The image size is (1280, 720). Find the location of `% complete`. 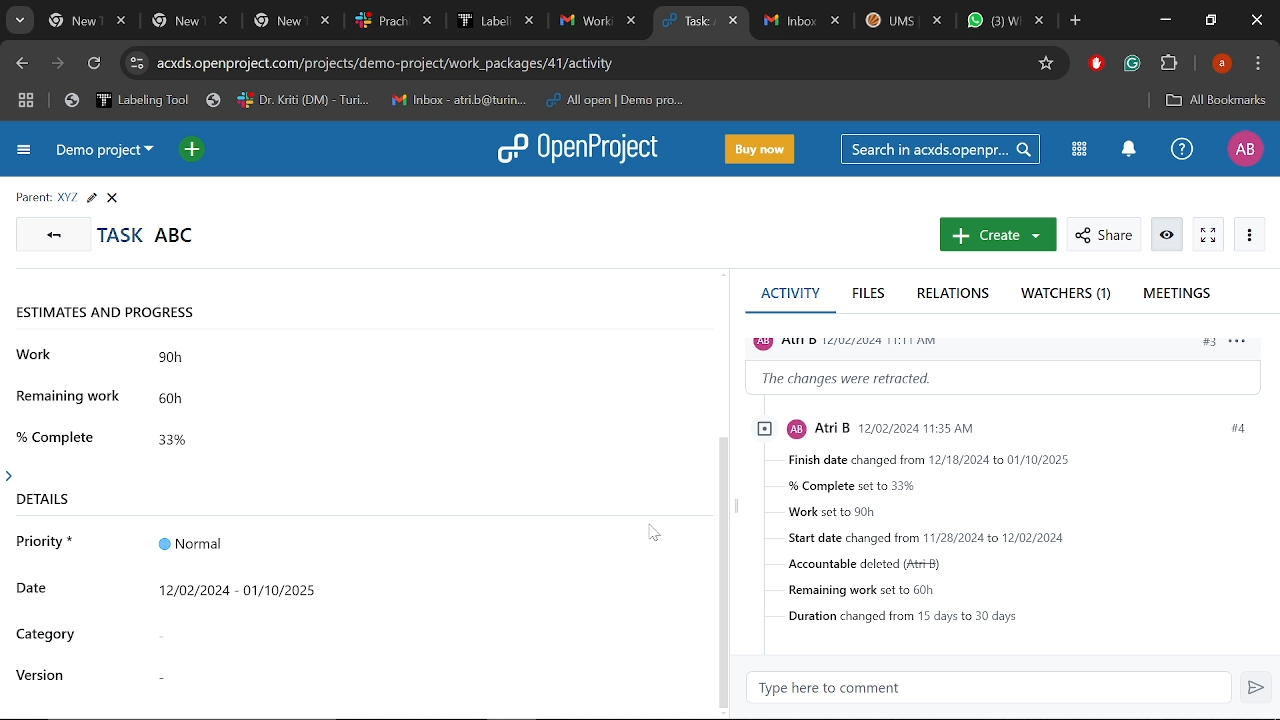

% complete is located at coordinates (59, 435).